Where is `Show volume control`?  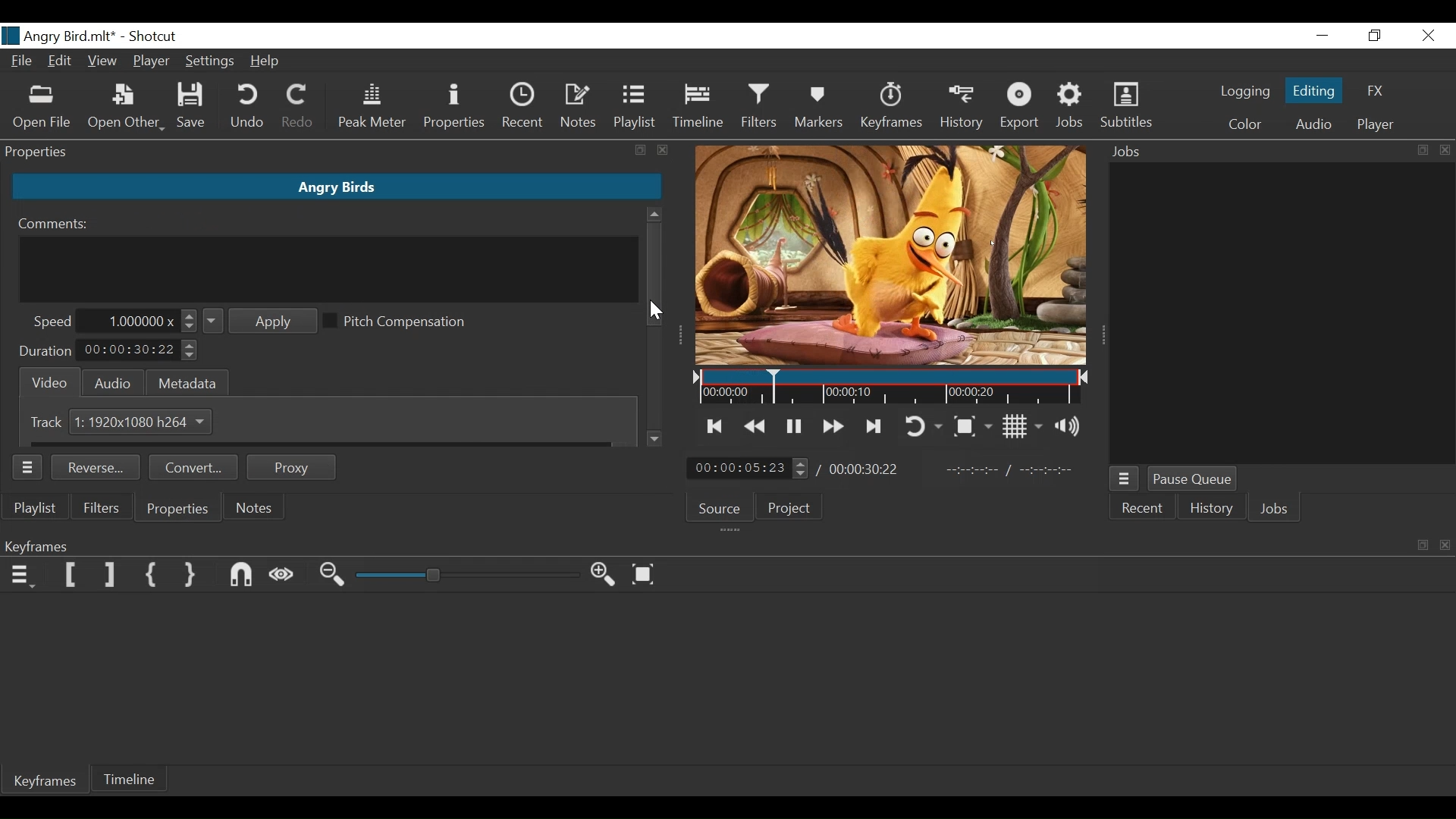
Show volume control is located at coordinates (1070, 428).